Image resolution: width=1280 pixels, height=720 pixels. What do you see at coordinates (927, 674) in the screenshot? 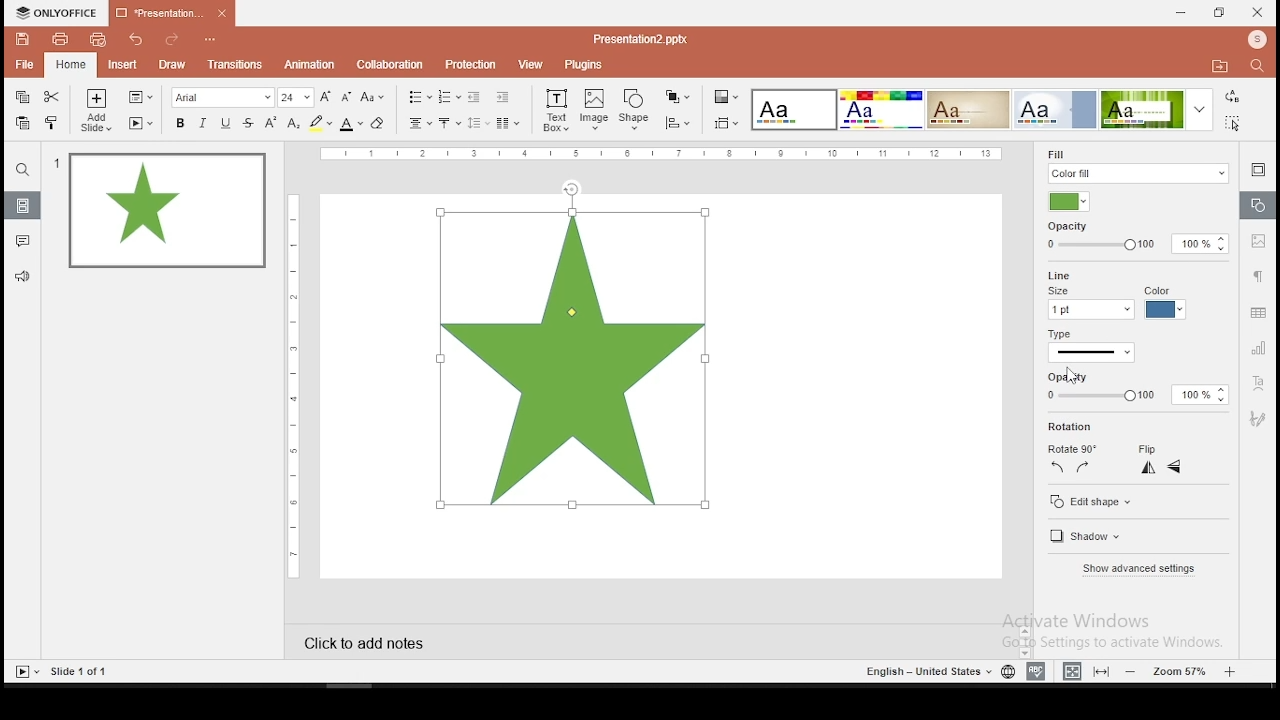
I see `english - united states` at bounding box center [927, 674].